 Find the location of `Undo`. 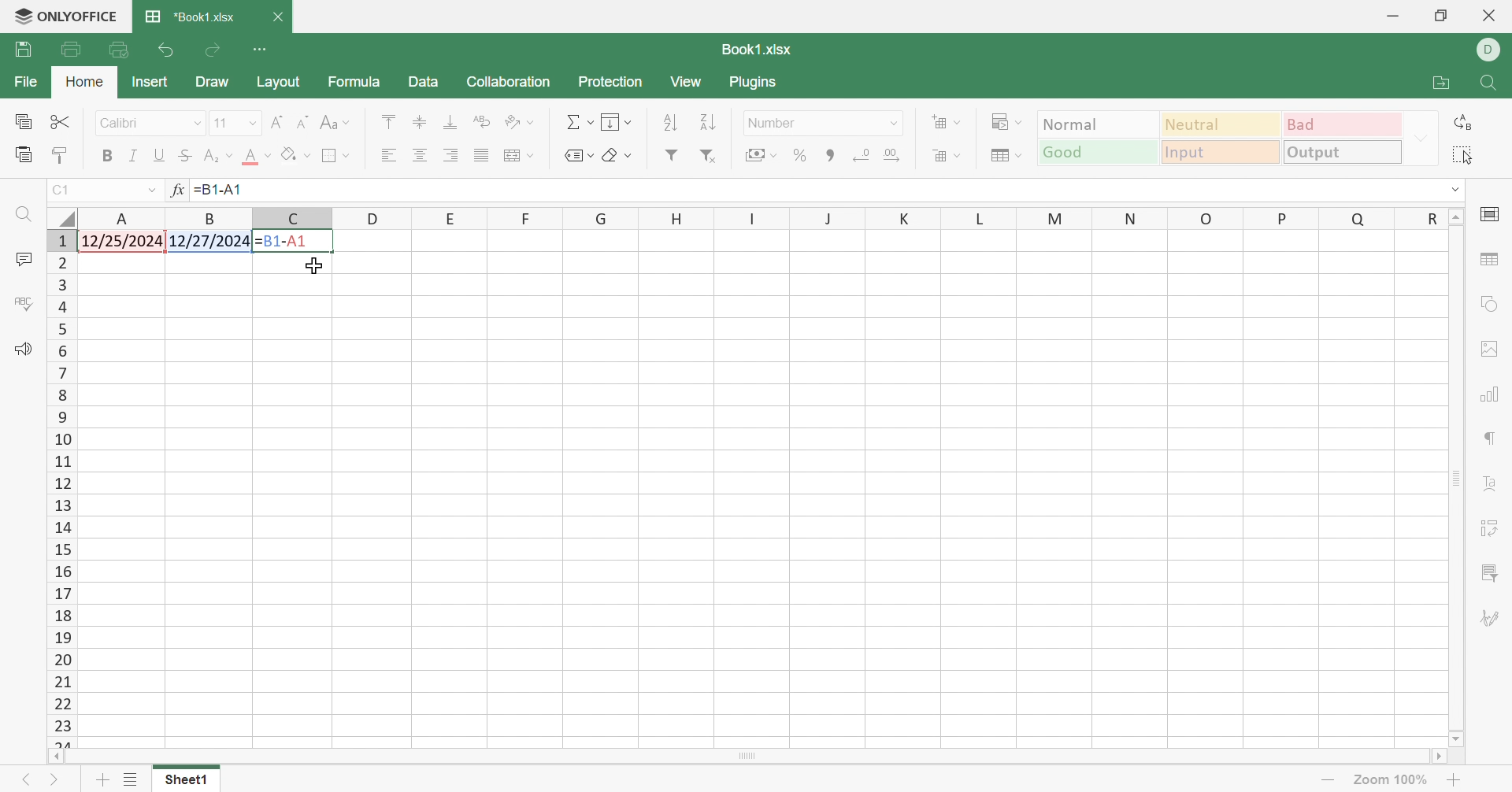

Undo is located at coordinates (162, 52).